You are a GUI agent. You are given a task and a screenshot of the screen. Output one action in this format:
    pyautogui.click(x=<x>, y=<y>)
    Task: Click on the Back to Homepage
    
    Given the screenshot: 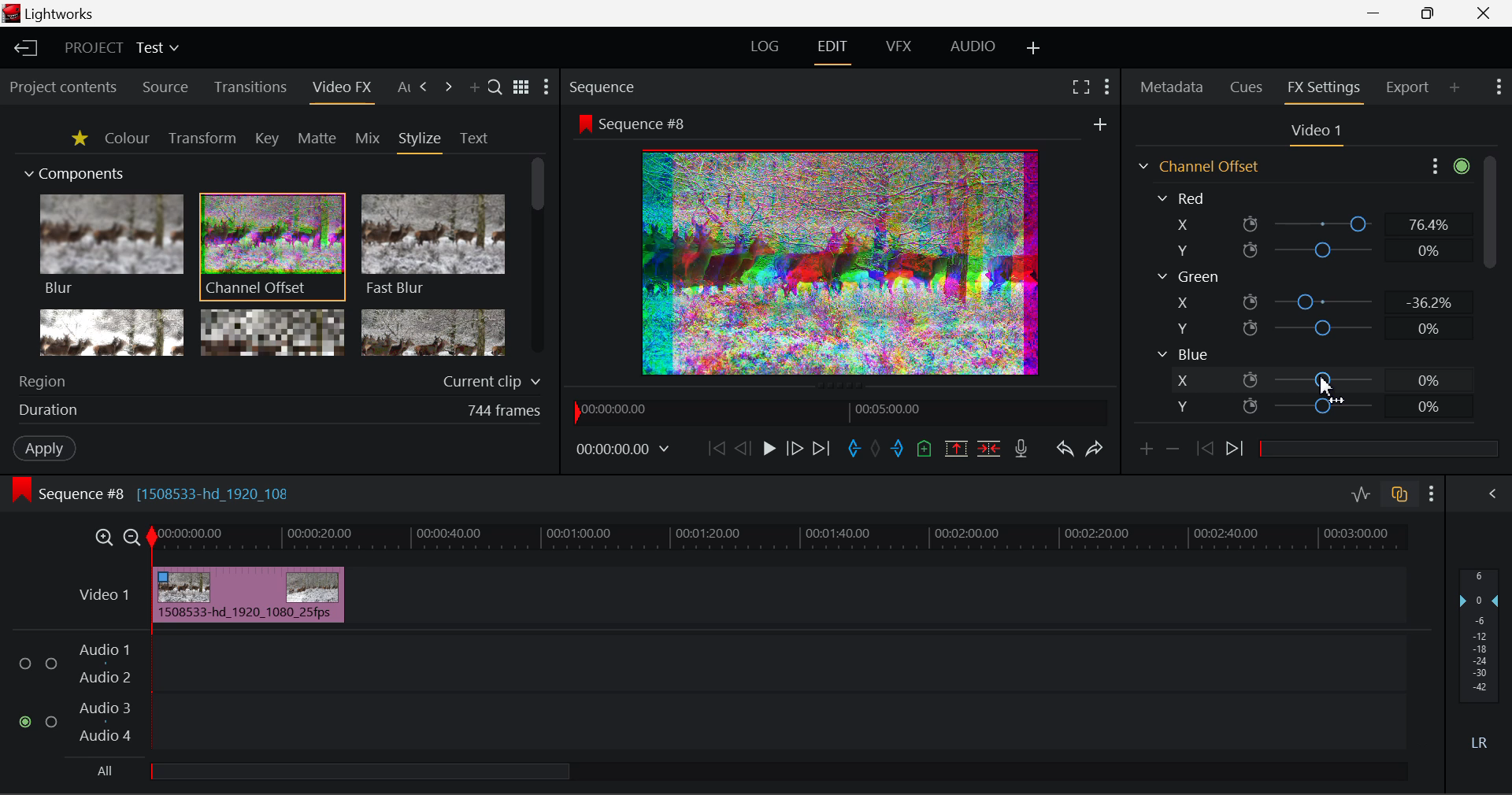 What is the action you would take?
    pyautogui.click(x=24, y=49)
    